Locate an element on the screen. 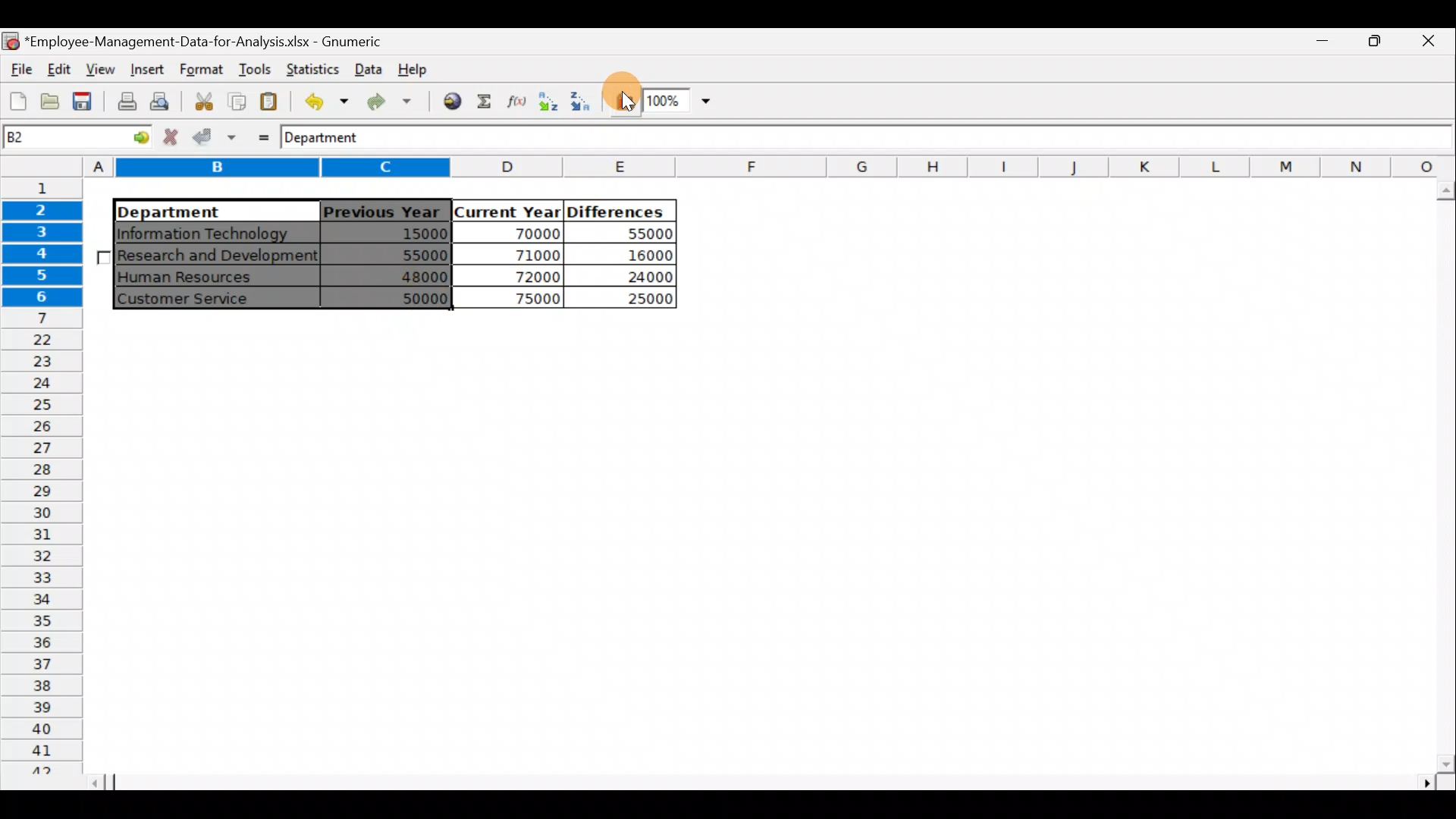  Customer Service is located at coordinates (201, 299).